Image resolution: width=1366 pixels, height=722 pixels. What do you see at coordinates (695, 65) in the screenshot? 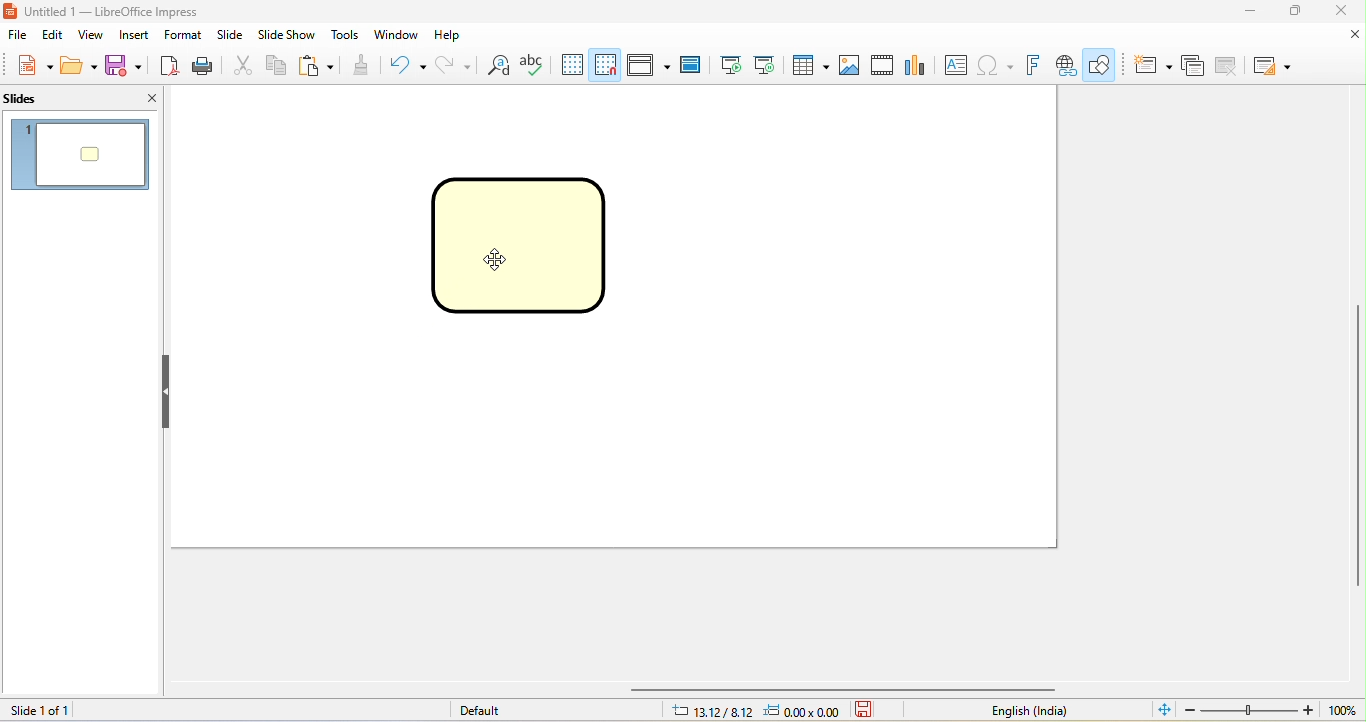
I see `master slide` at bounding box center [695, 65].